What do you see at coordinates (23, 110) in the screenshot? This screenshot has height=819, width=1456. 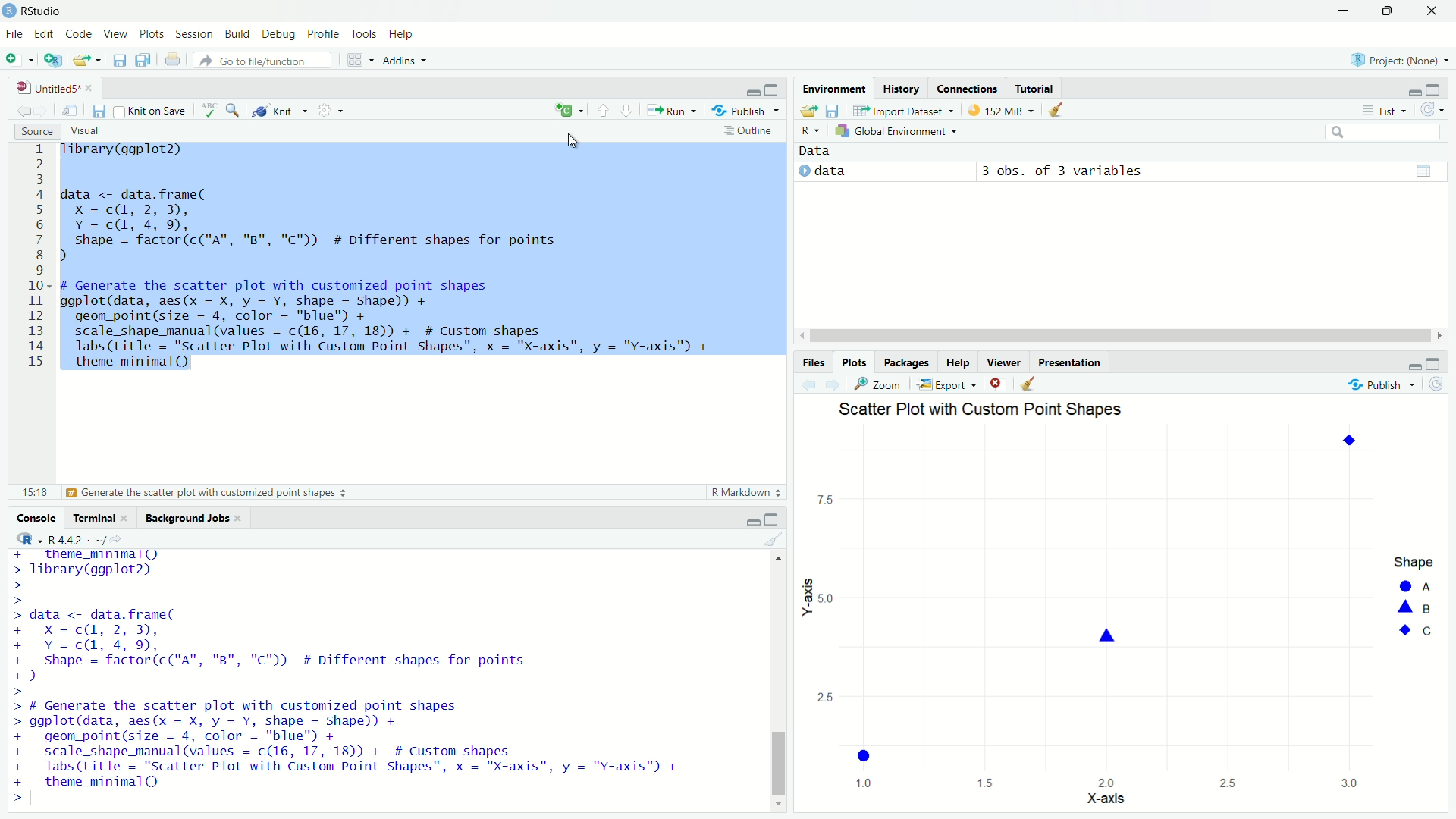 I see `Go back to previous source location` at bounding box center [23, 110].